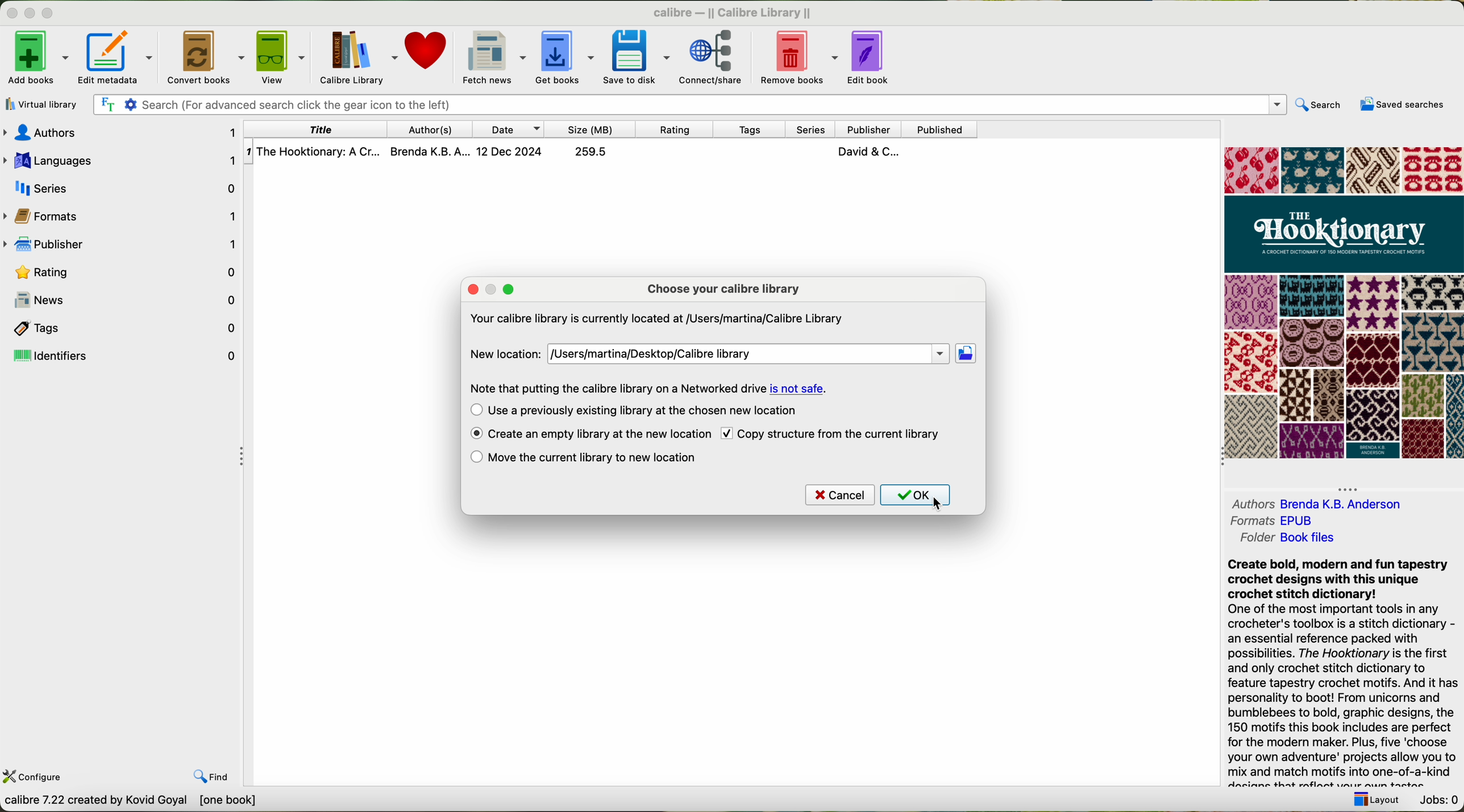 The image size is (1464, 812). What do you see at coordinates (747, 354) in the screenshot?
I see `new location` at bounding box center [747, 354].